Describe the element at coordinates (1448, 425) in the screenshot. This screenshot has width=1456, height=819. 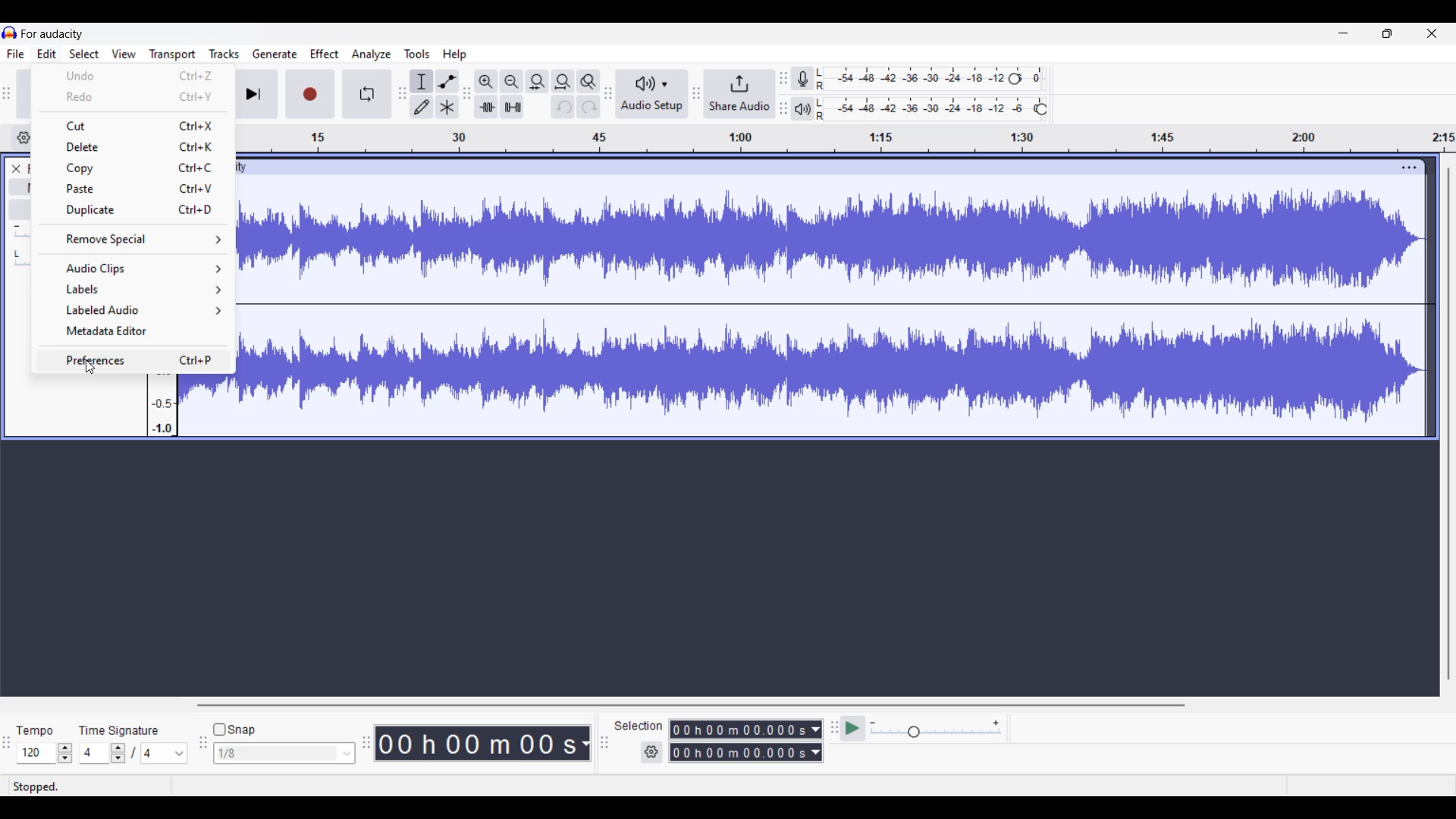
I see `Vertical slide bar` at that location.